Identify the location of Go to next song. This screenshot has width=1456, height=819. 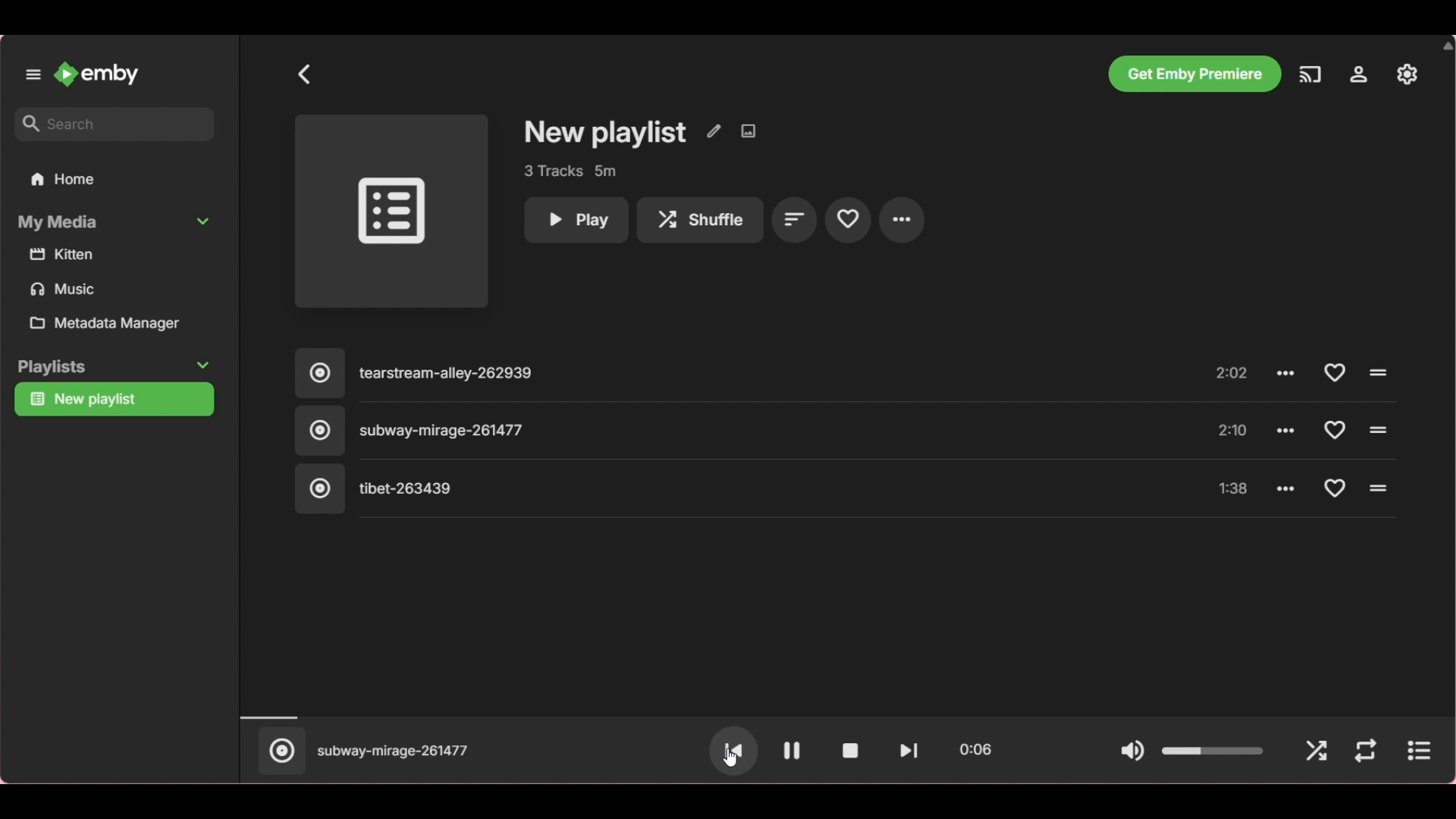
(908, 751).